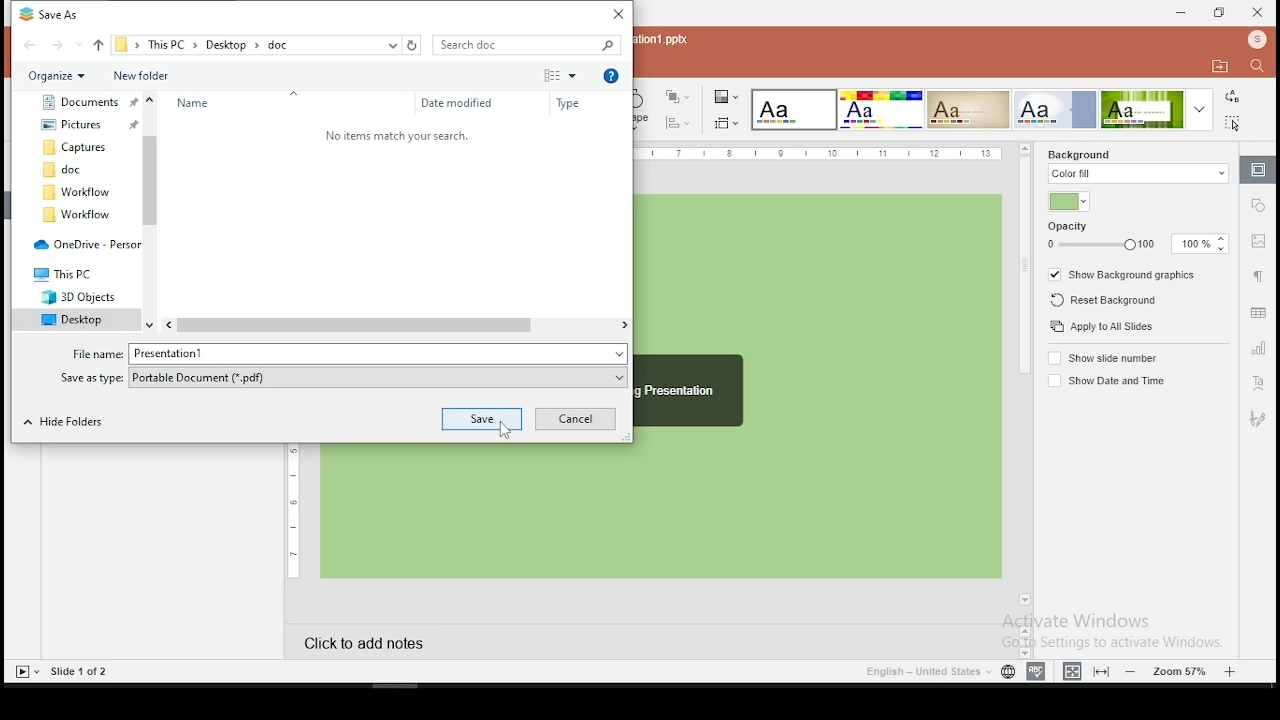  Describe the element at coordinates (1258, 349) in the screenshot. I see `chart settings` at that location.